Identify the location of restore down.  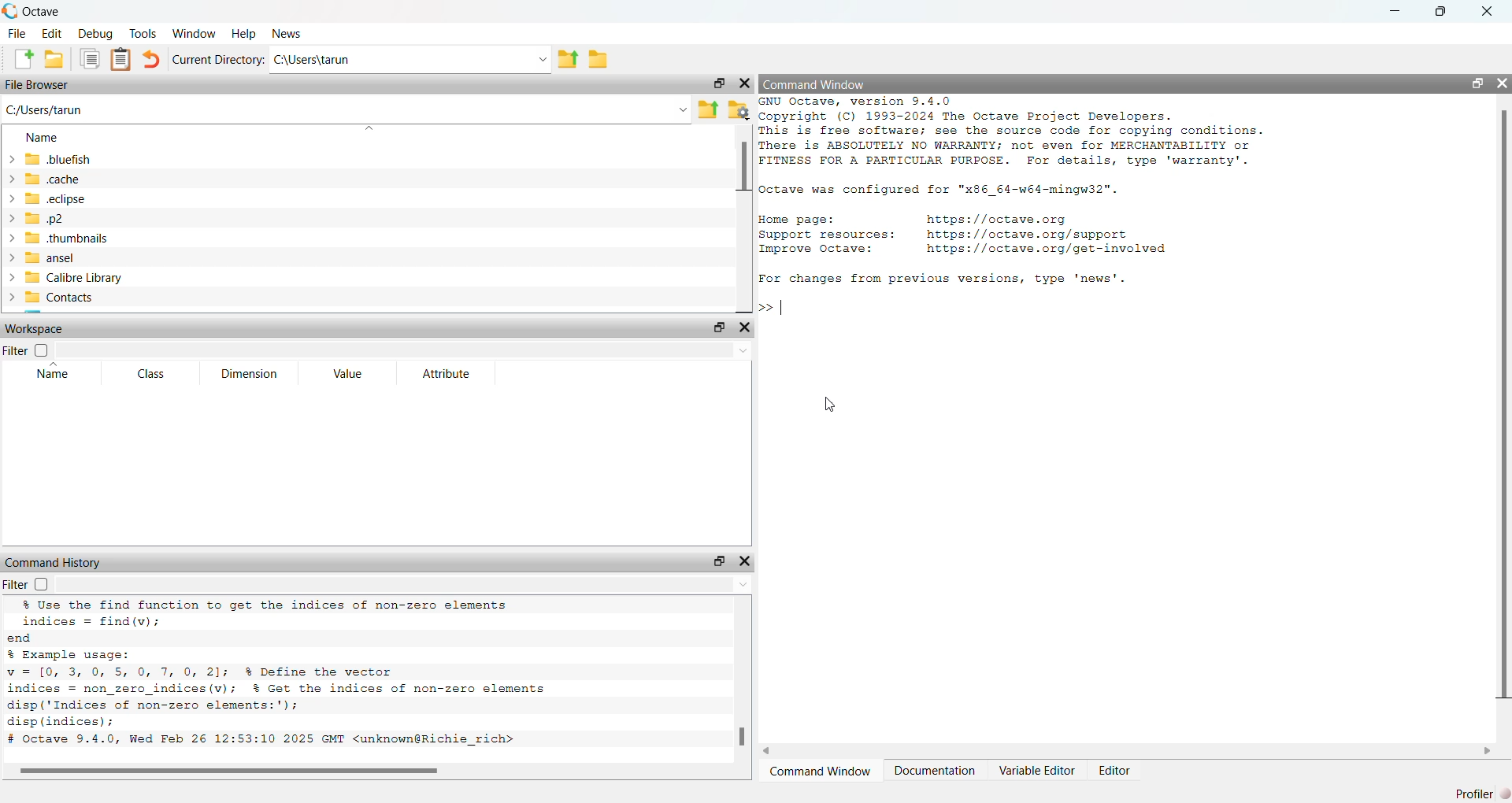
(1477, 83).